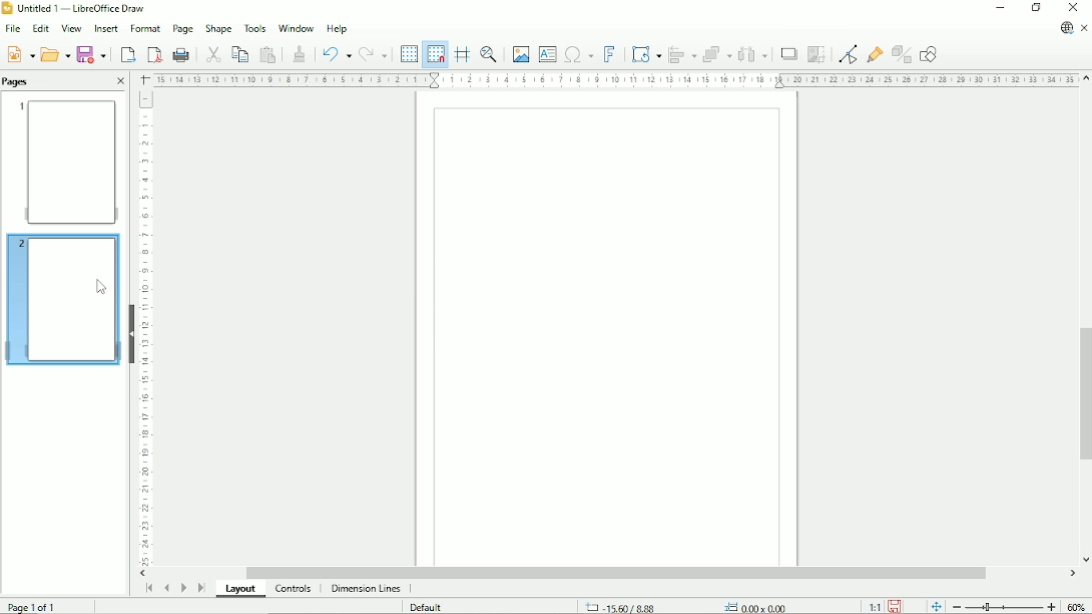 This screenshot has width=1092, height=614. Describe the element at coordinates (462, 54) in the screenshot. I see `Helplines while moving` at that location.